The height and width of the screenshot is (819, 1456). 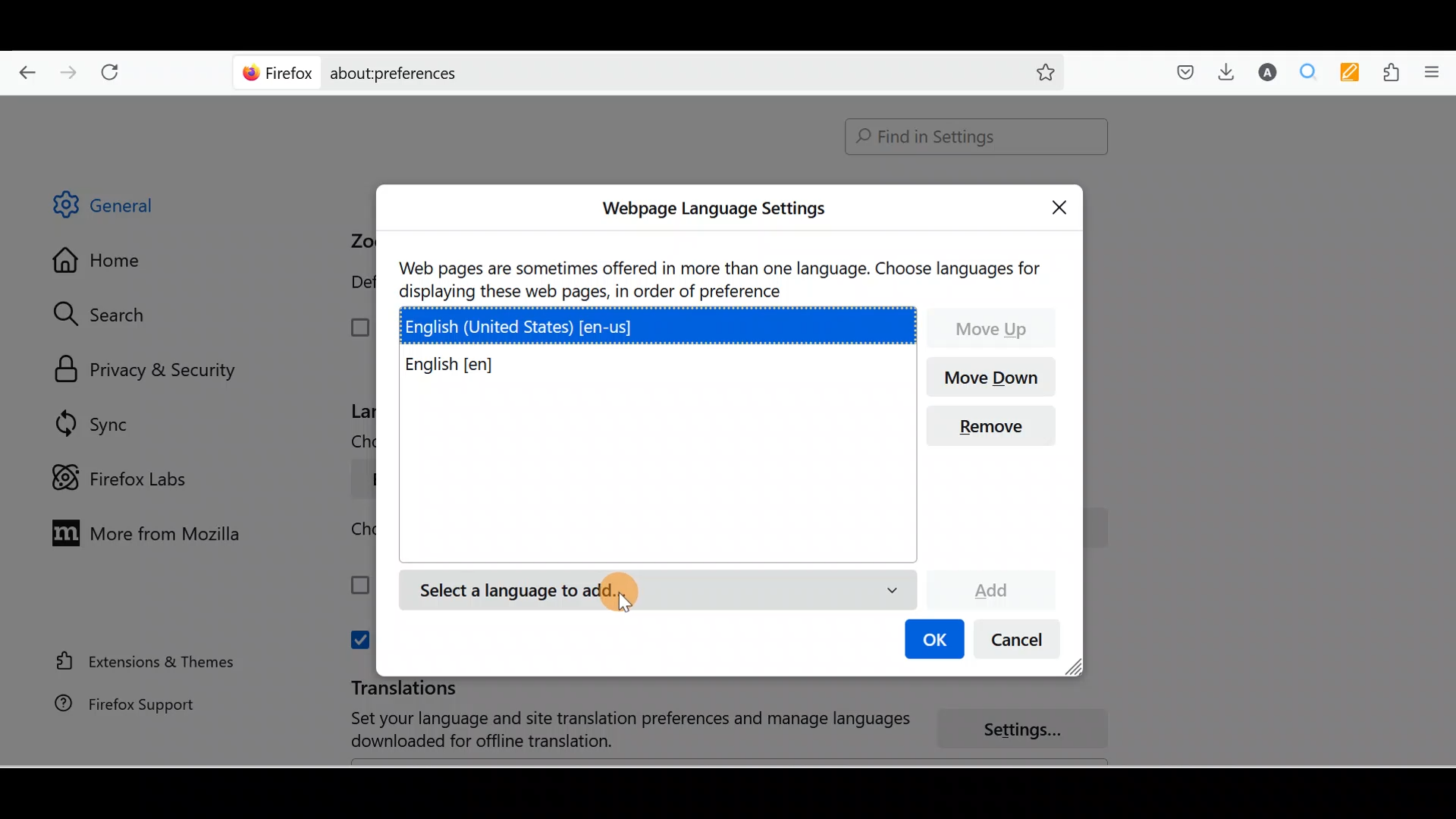 I want to click on about:preferences, so click(x=605, y=71).